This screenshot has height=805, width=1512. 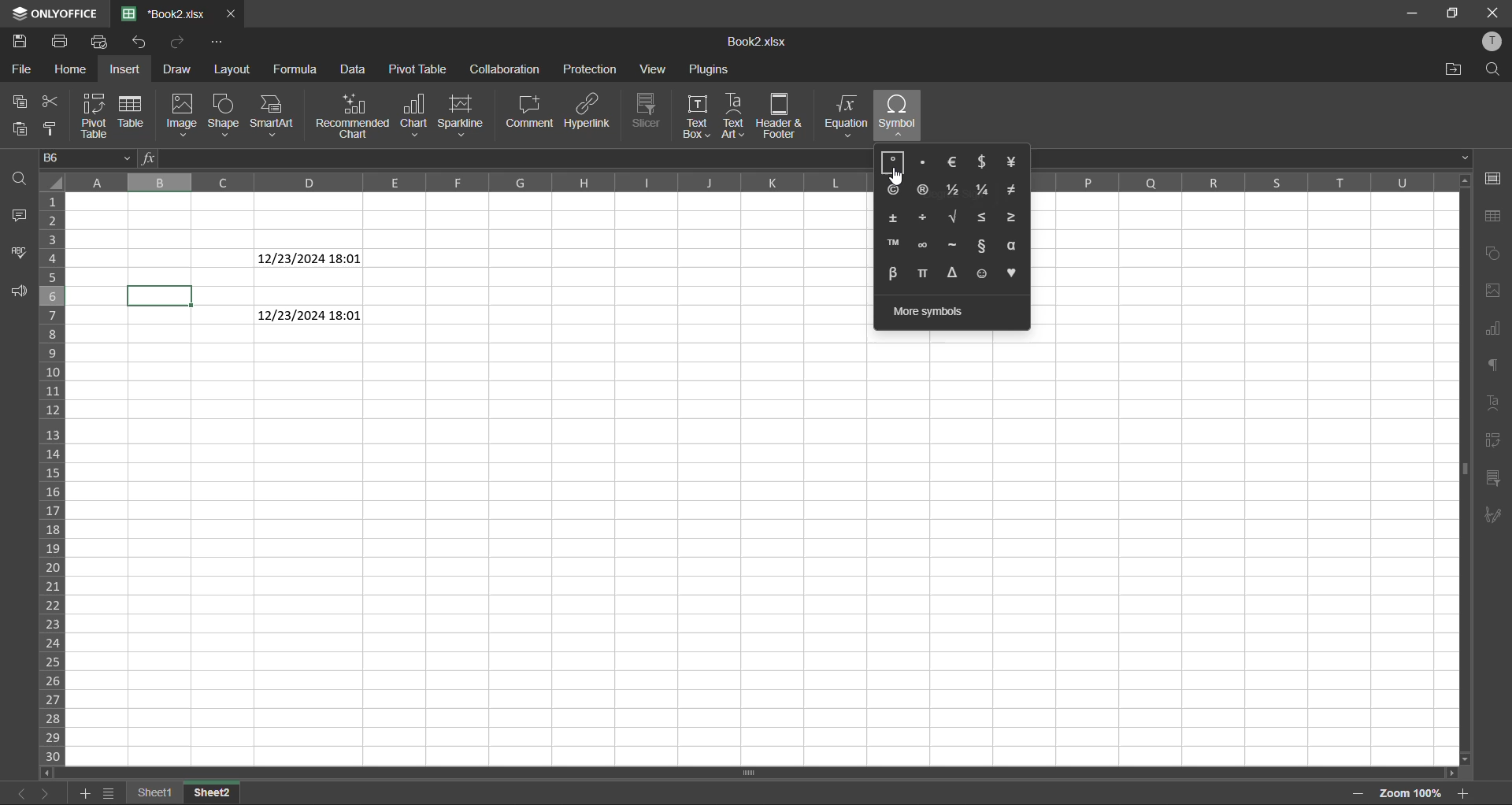 What do you see at coordinates (848, 116) in the screenshot?
I see `equation` at bounding box center [848, 116].